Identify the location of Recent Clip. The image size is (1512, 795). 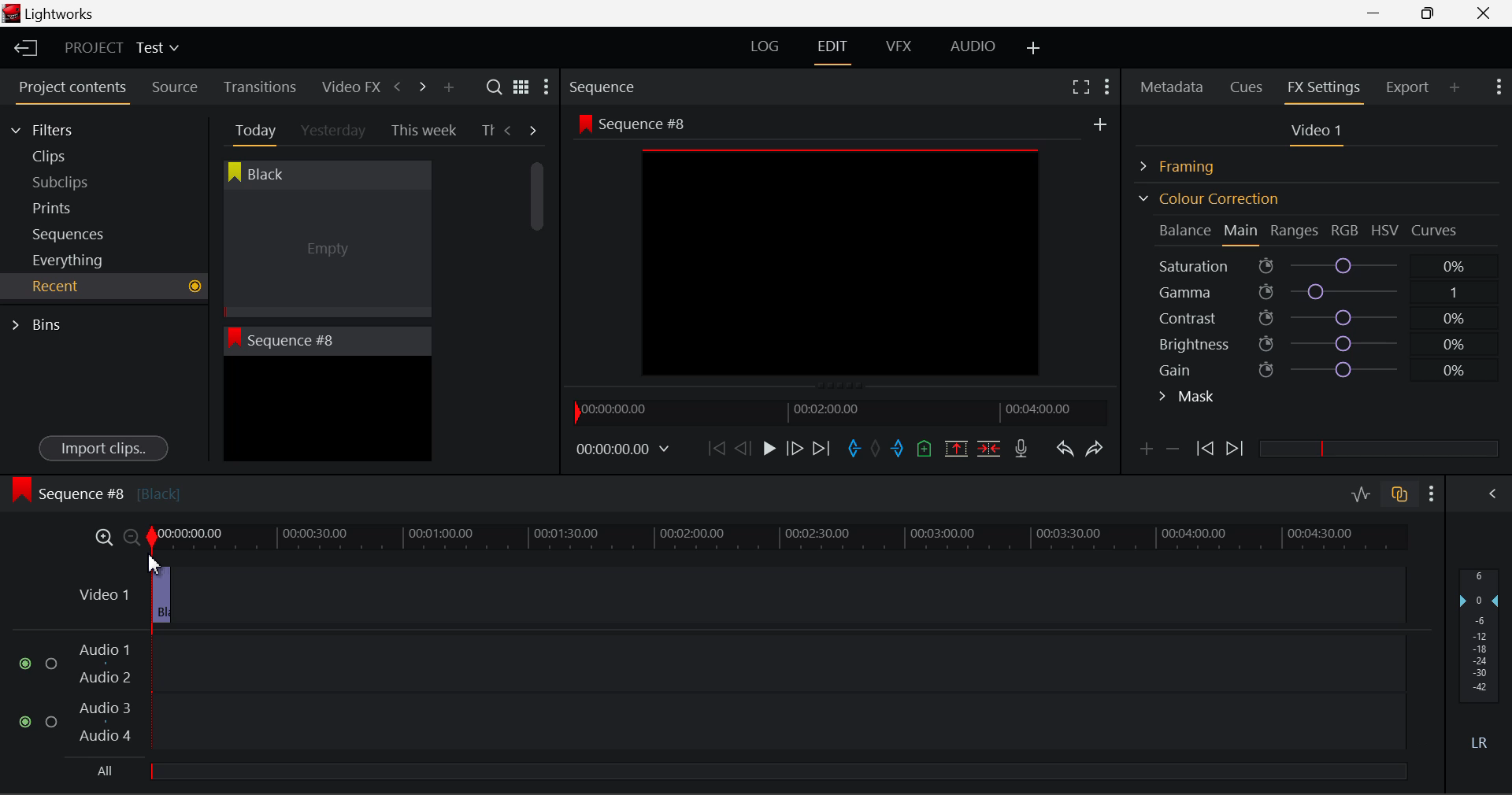
(327, 412).